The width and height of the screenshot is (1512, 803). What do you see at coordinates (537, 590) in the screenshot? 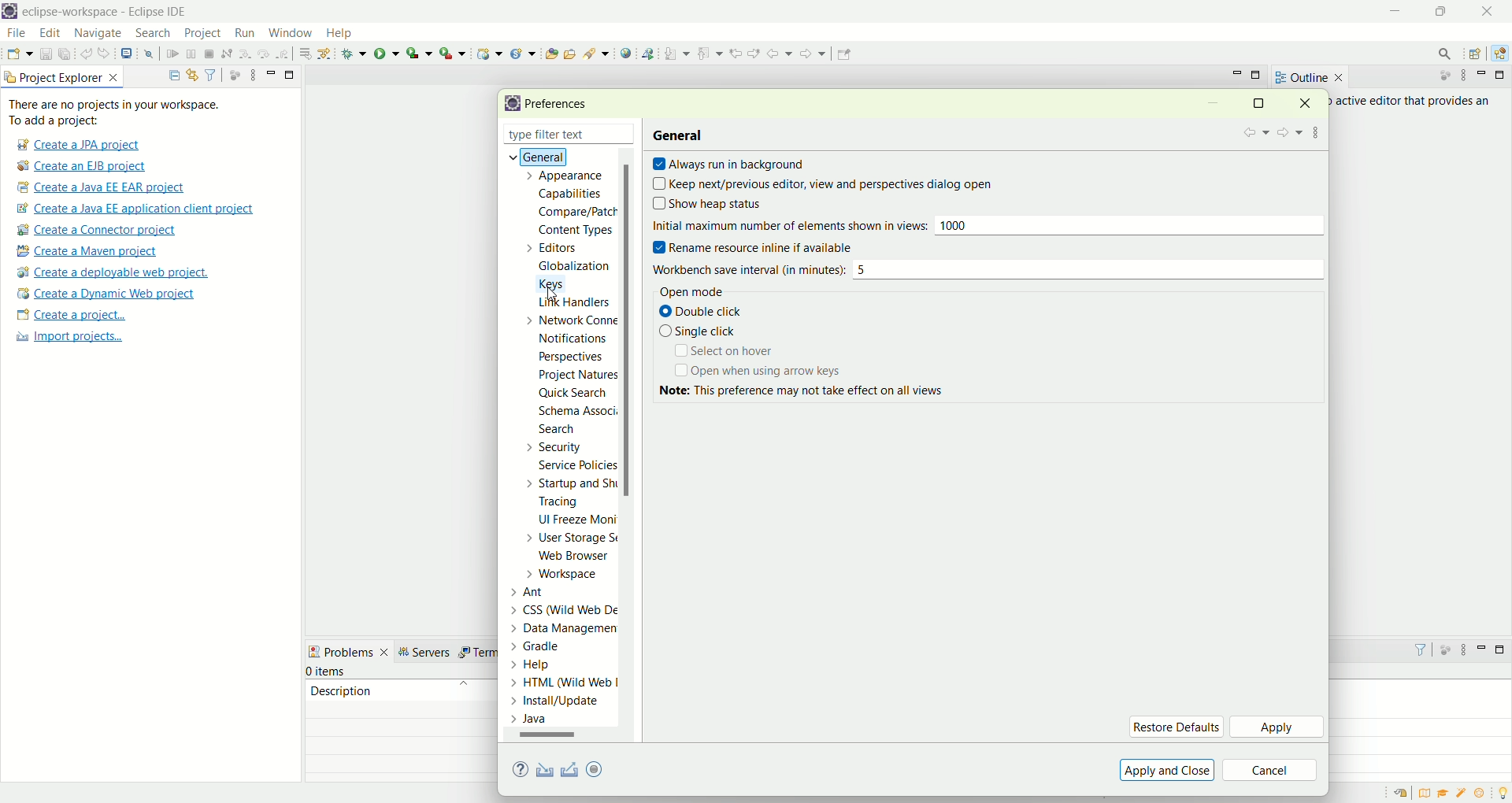
I see `Ant` at bounding box center [537, 590].